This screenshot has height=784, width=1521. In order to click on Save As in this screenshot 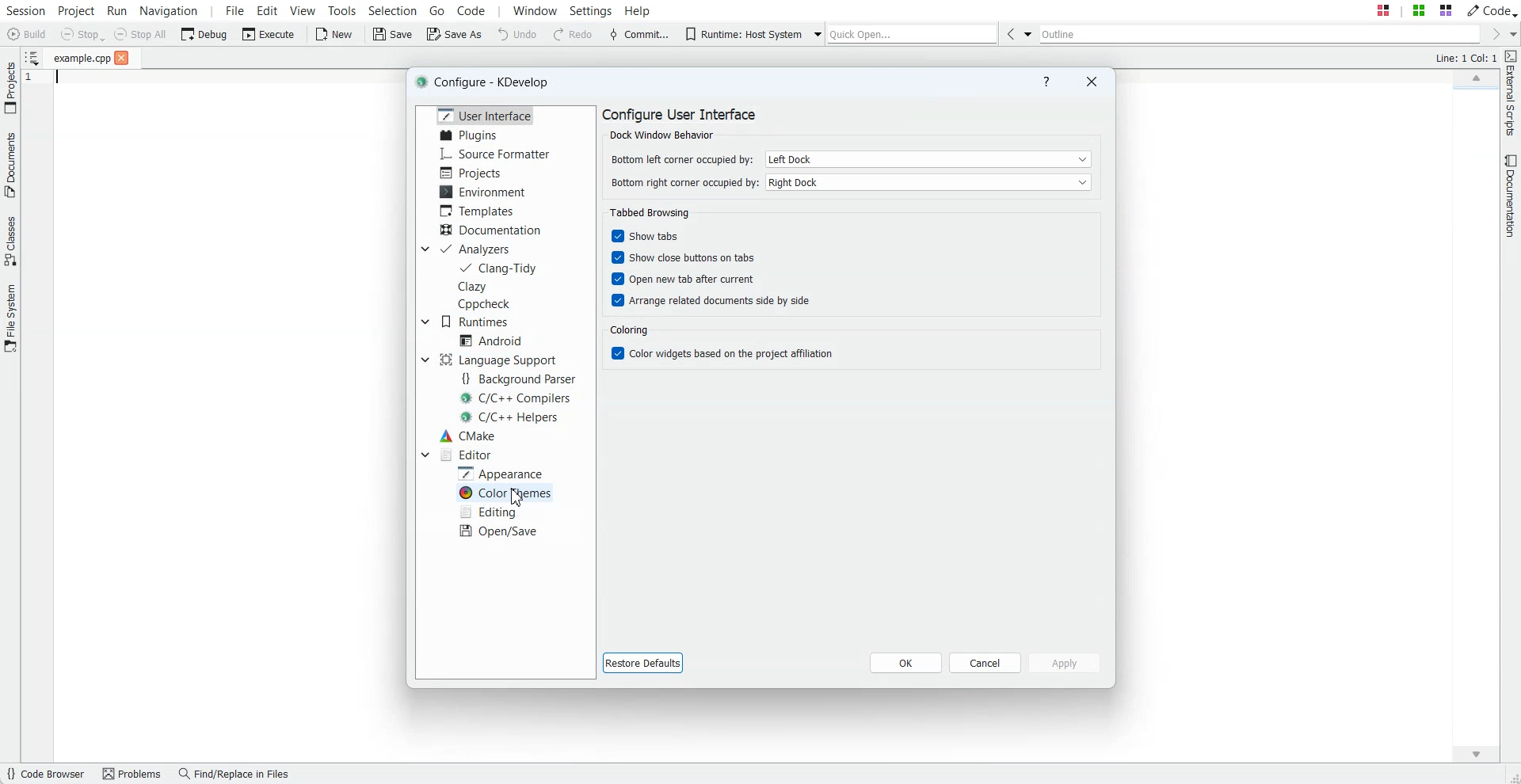, I will do `click(454, 35)`.